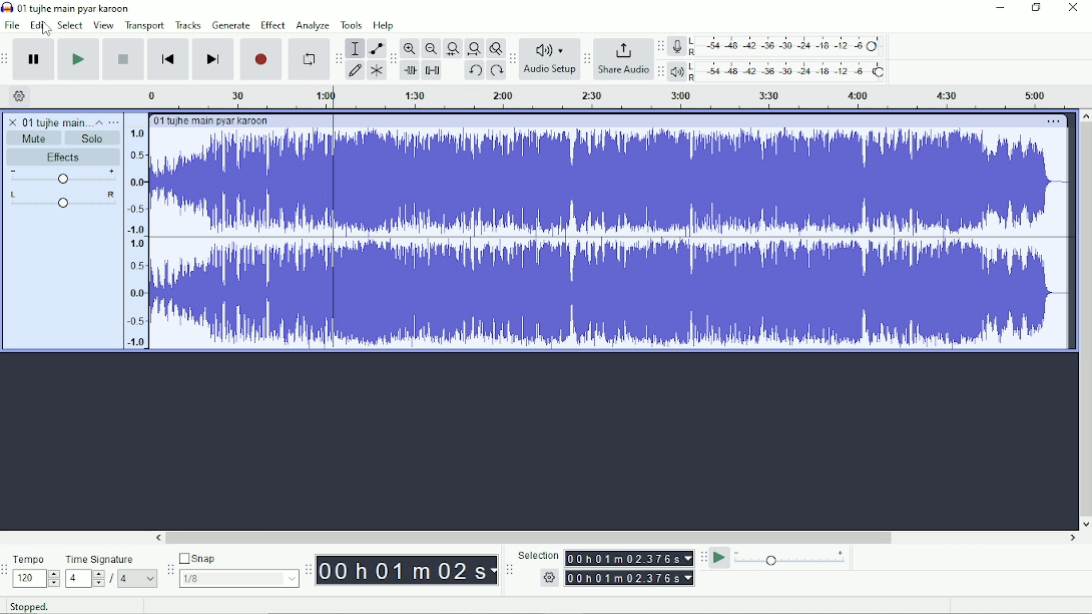 The image size is (1092, 614). What do you see at coordinates (189, 25) in the screenshot?
I see `Tracks` at bounding box center [189, 25].